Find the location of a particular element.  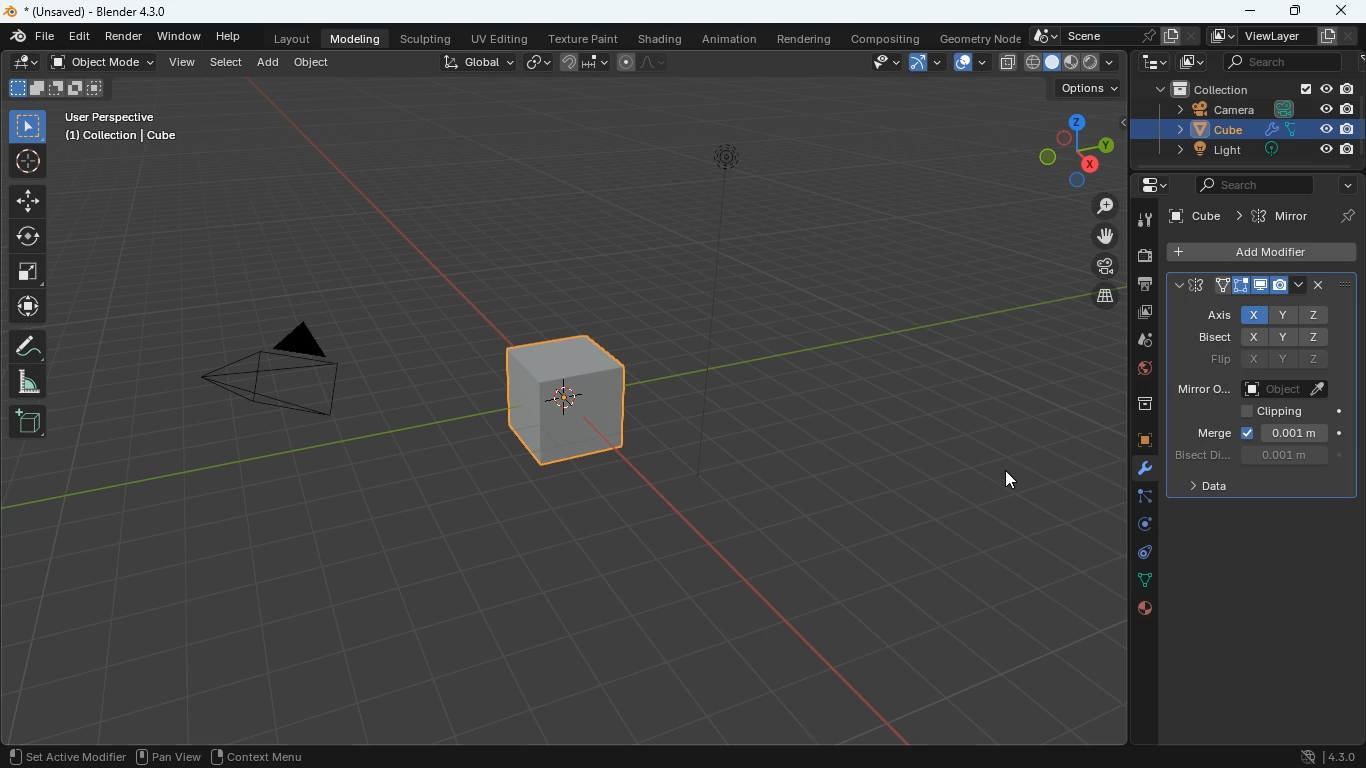

drop is located at coordinates (1143, 342).